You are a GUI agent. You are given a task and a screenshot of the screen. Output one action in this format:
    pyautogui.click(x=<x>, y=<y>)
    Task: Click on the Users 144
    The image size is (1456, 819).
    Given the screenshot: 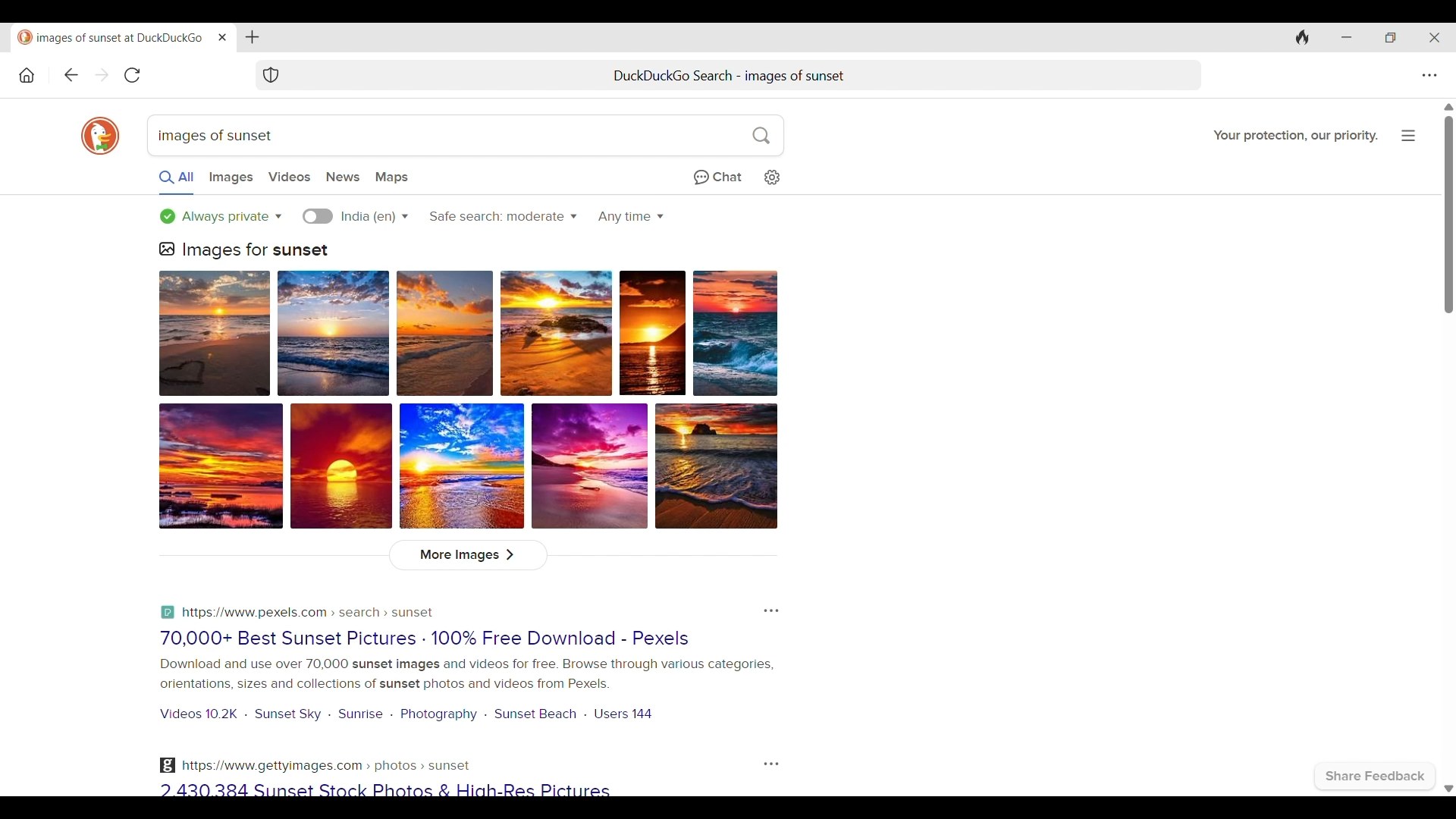 What is the action you would take?
    pyautogui.click(x=626, y=713)
    